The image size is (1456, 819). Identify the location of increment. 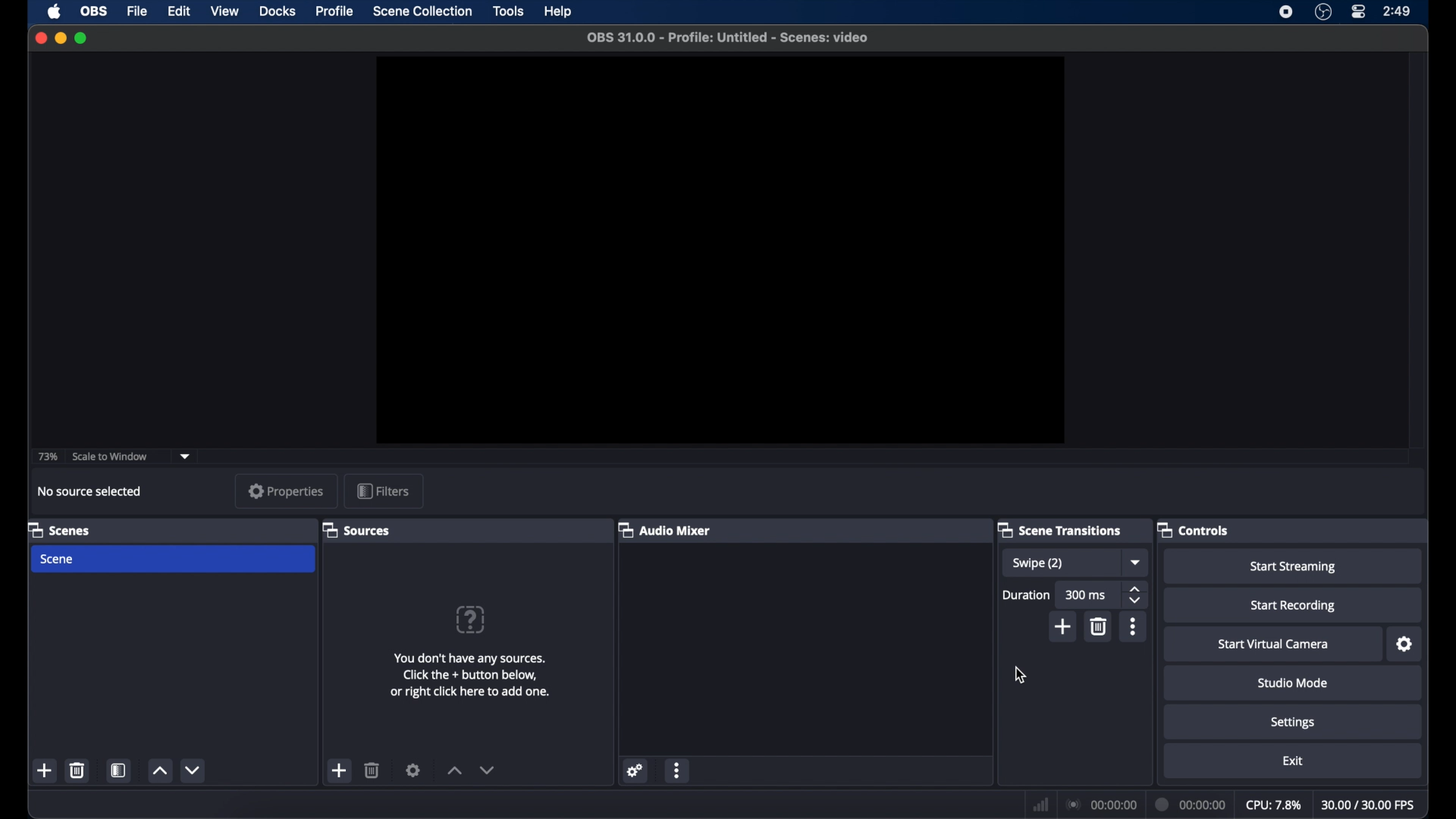
(455, 770).